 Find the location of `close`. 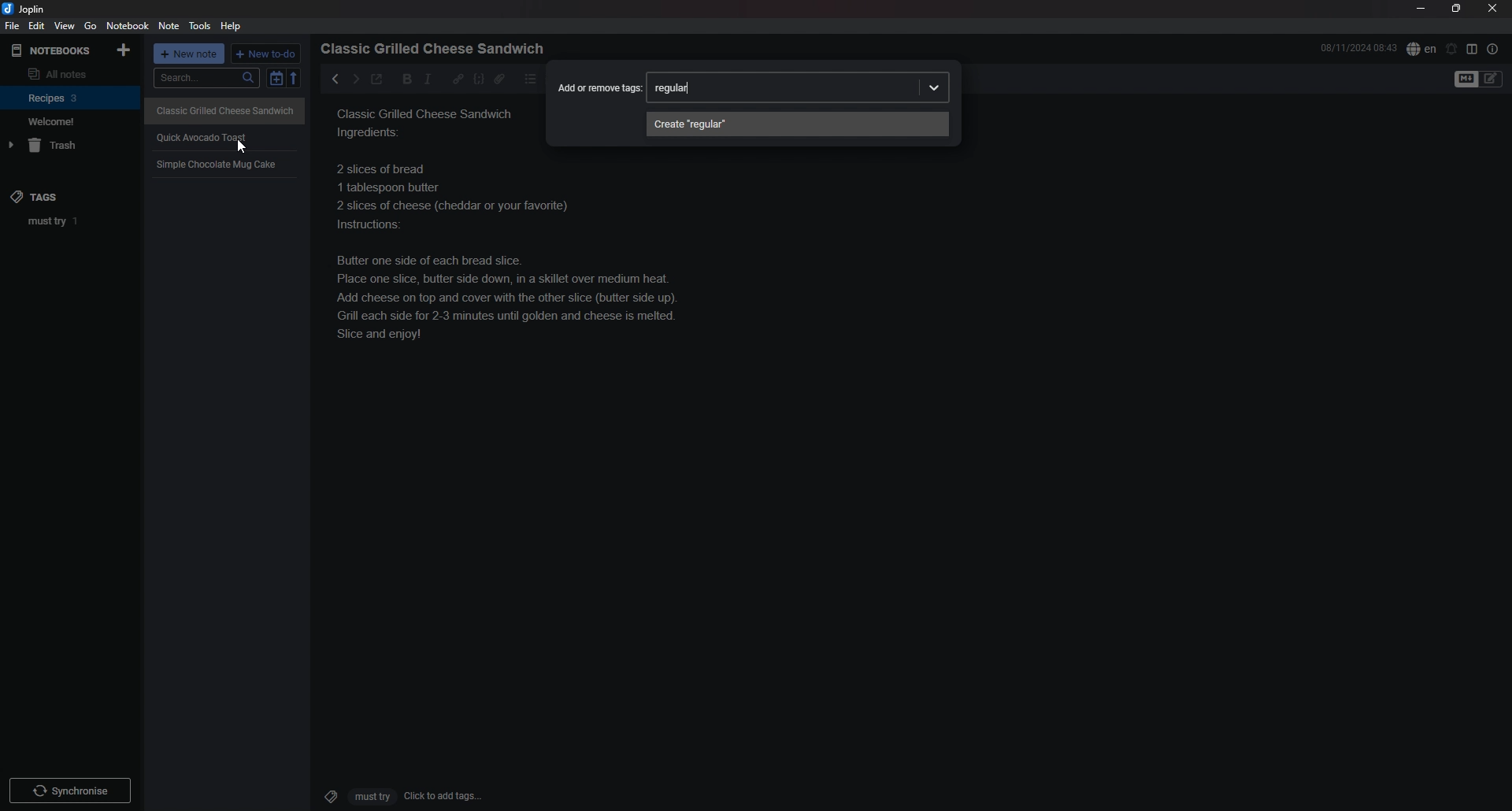

close is located at coordinates (1494, 8).